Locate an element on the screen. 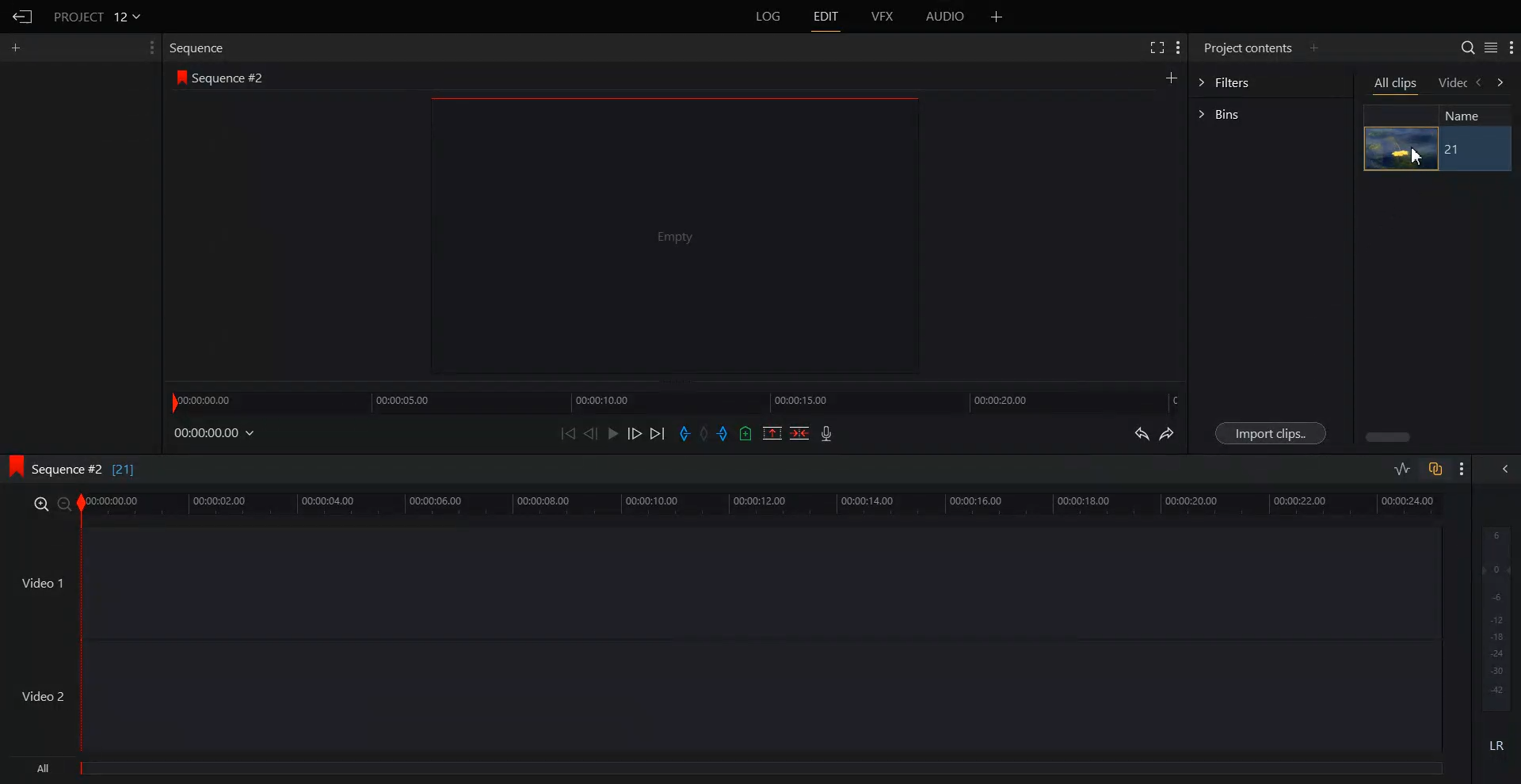 The width and height of the screenshot is (1521, 784). Project Contents is located at coordinates (1248, 47).